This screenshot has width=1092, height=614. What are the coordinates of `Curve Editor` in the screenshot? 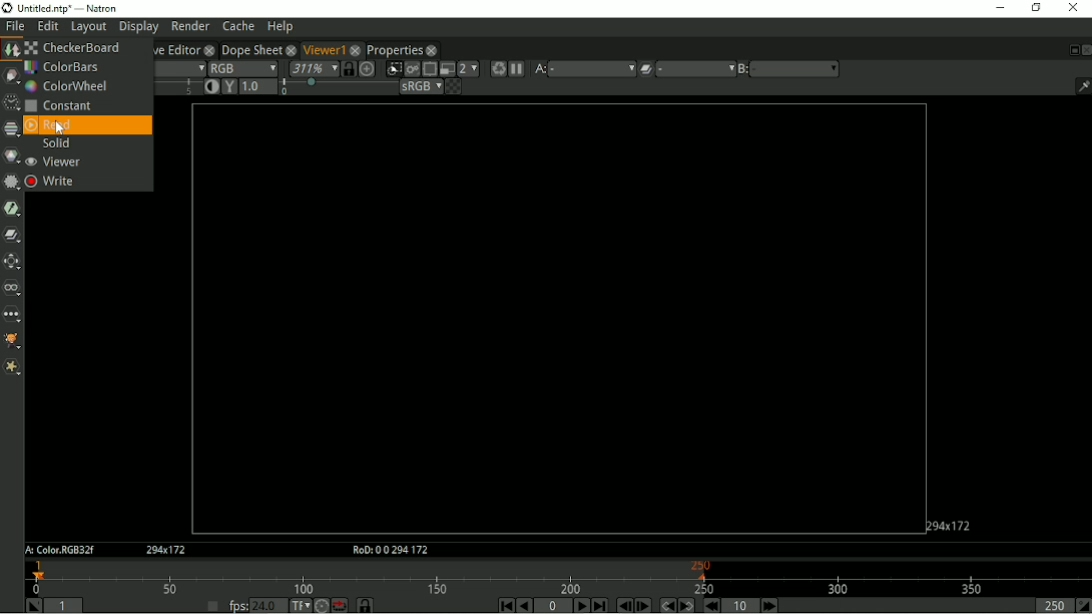 It's located at (177, 49).